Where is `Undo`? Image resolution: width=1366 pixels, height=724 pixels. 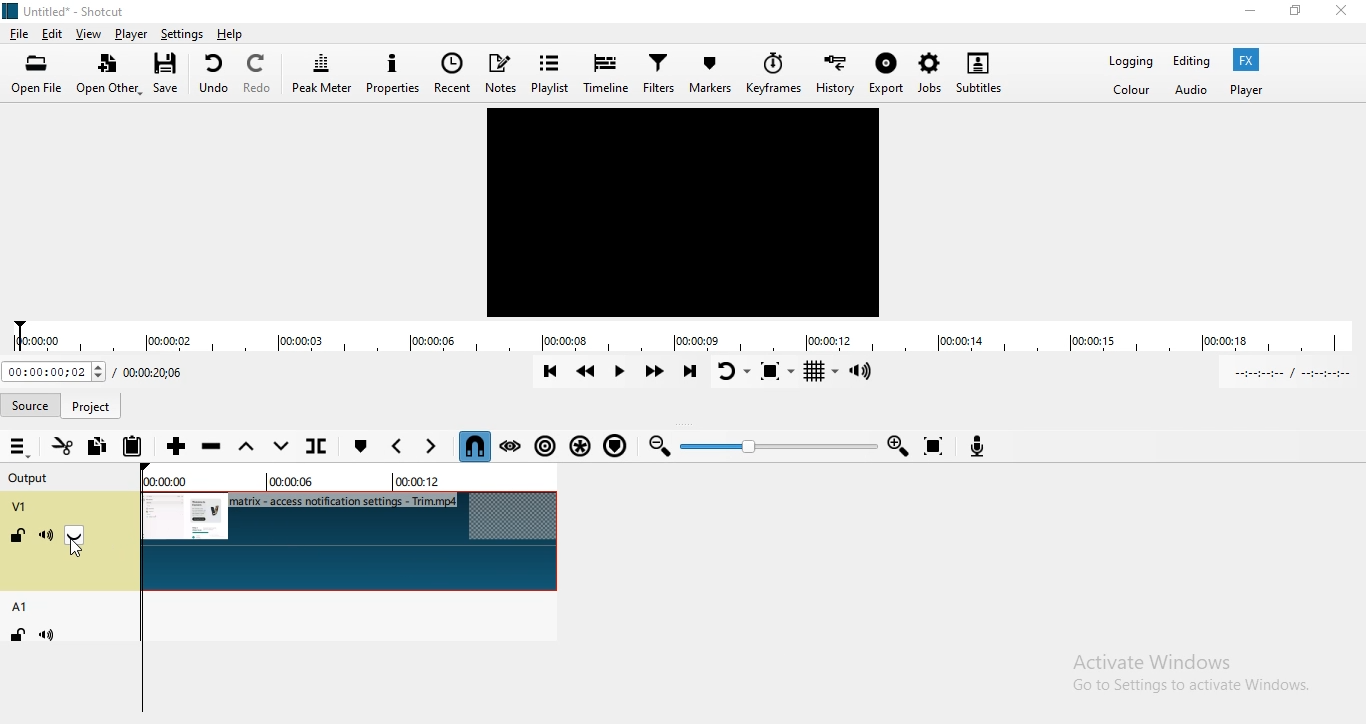
Undo is located at coordinates (213, 73).